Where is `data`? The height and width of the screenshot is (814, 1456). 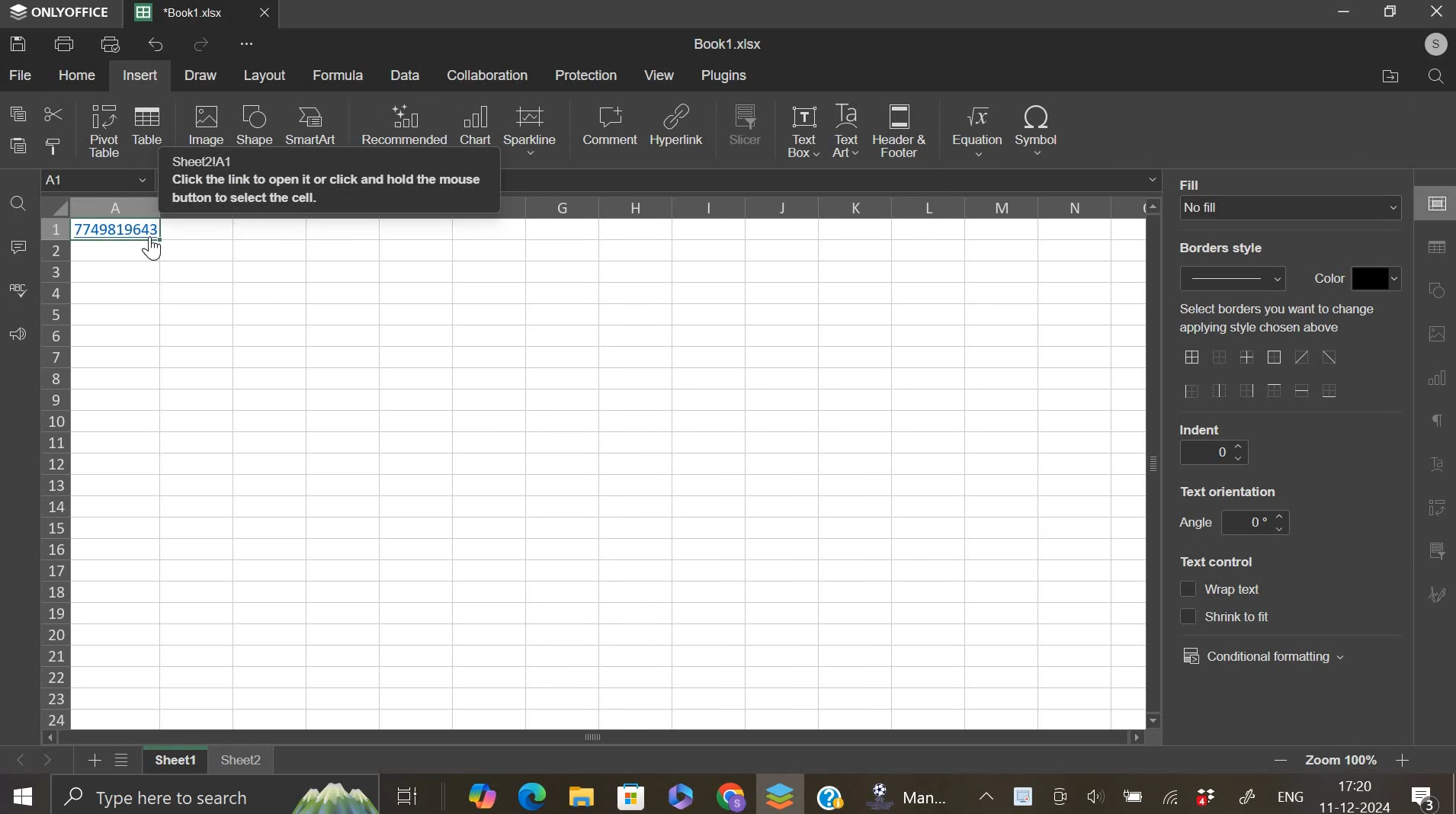 data is located at coordinates (407, 75).